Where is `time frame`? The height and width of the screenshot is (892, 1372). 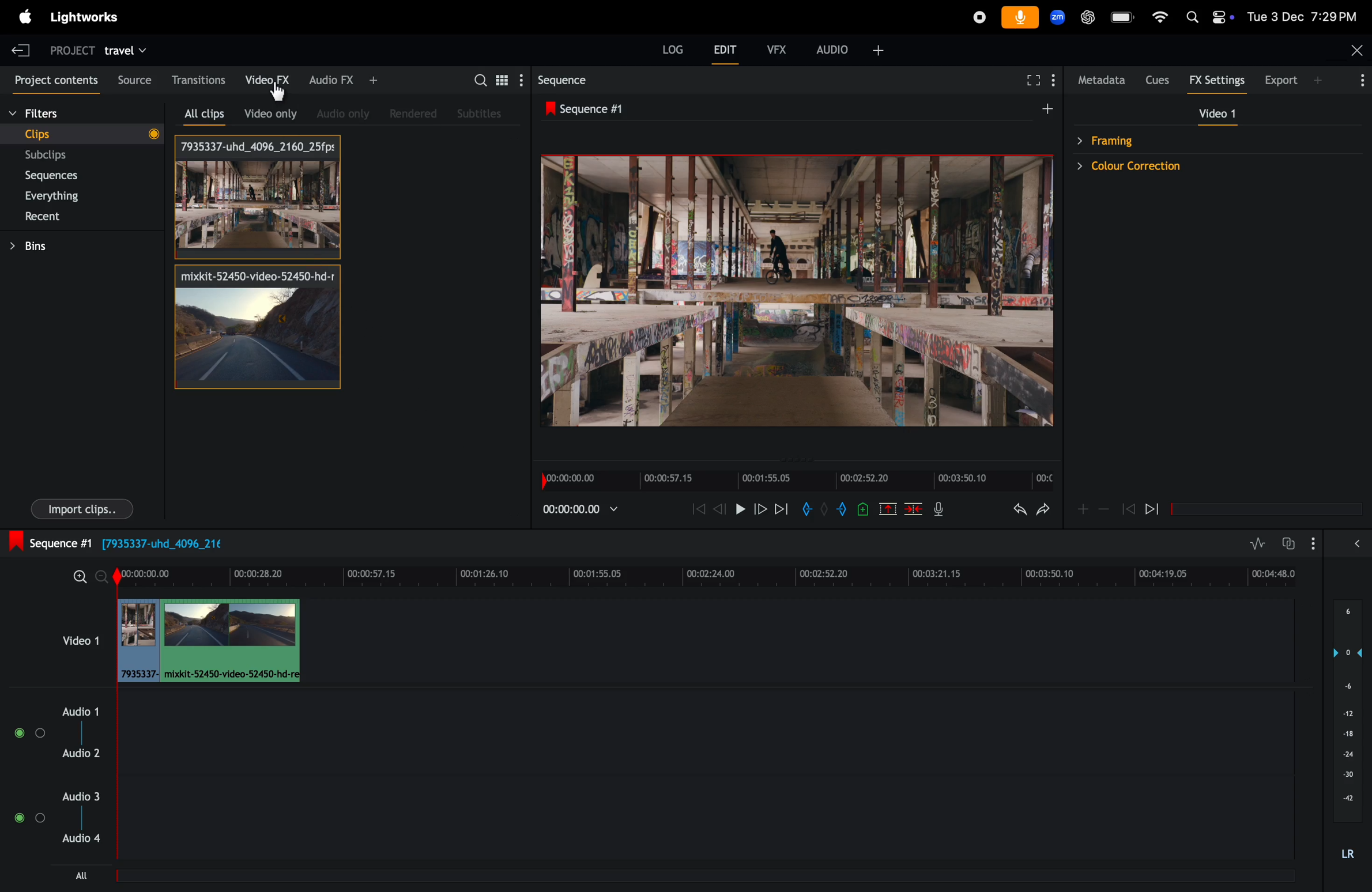
time frame is located at coordinates (710, 574).